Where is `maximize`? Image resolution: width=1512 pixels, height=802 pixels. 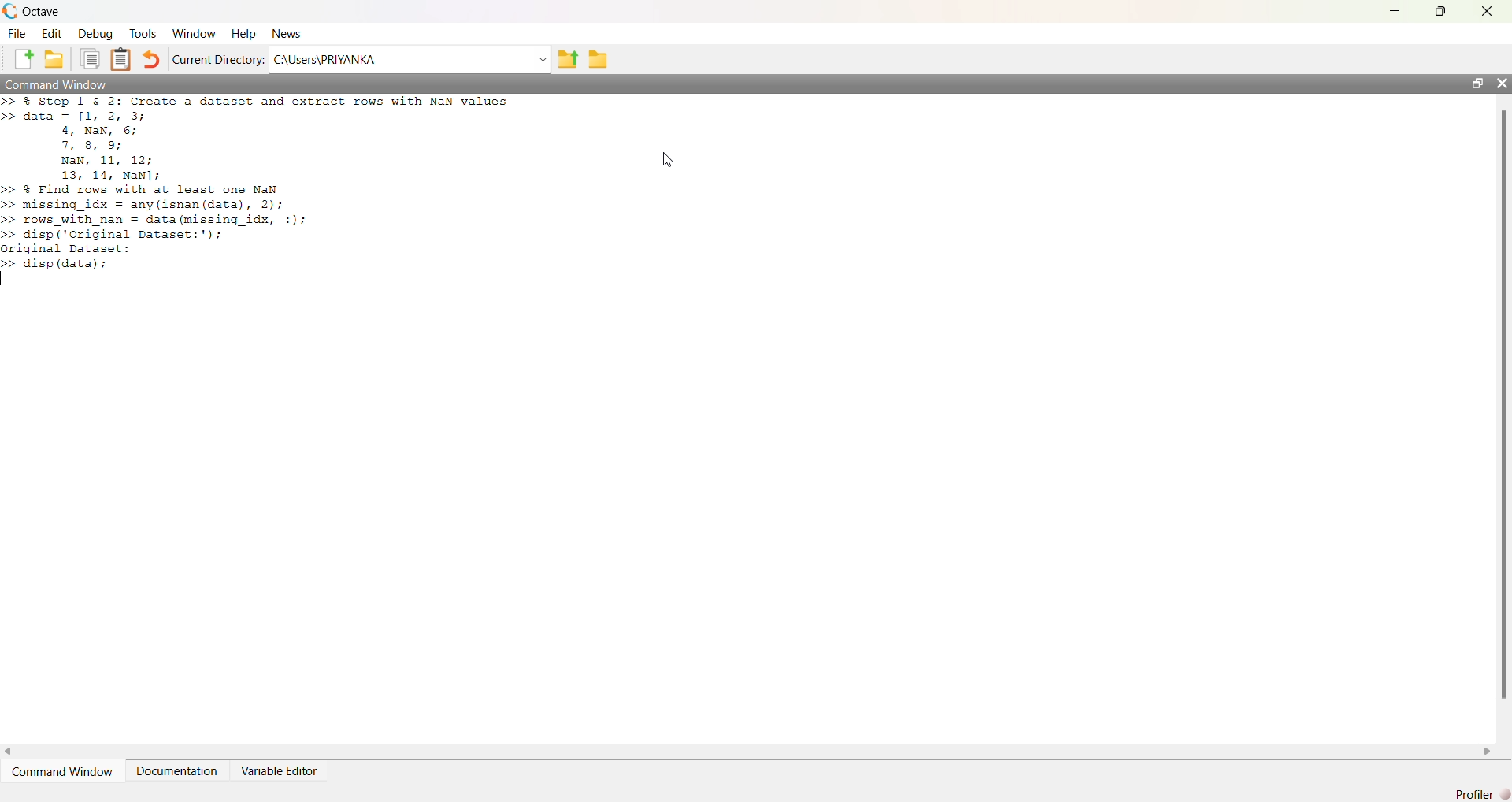
maximize is located at coordinates (1441, 10).